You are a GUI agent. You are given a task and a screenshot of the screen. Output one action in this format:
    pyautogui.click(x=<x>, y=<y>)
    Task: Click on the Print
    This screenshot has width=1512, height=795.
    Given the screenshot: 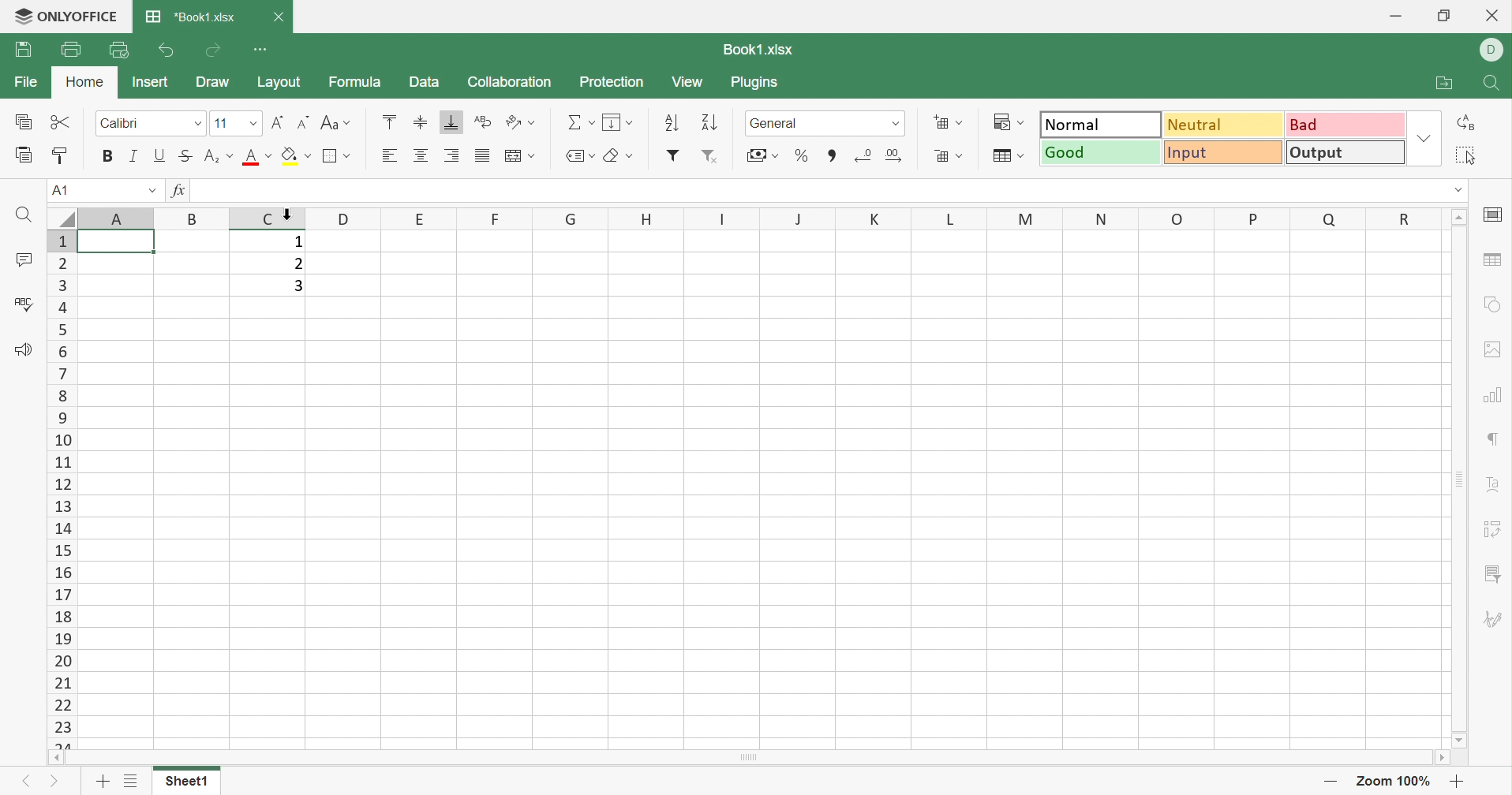 What is the action you would take?
    pyautogui.click(x=74, y=49)
    